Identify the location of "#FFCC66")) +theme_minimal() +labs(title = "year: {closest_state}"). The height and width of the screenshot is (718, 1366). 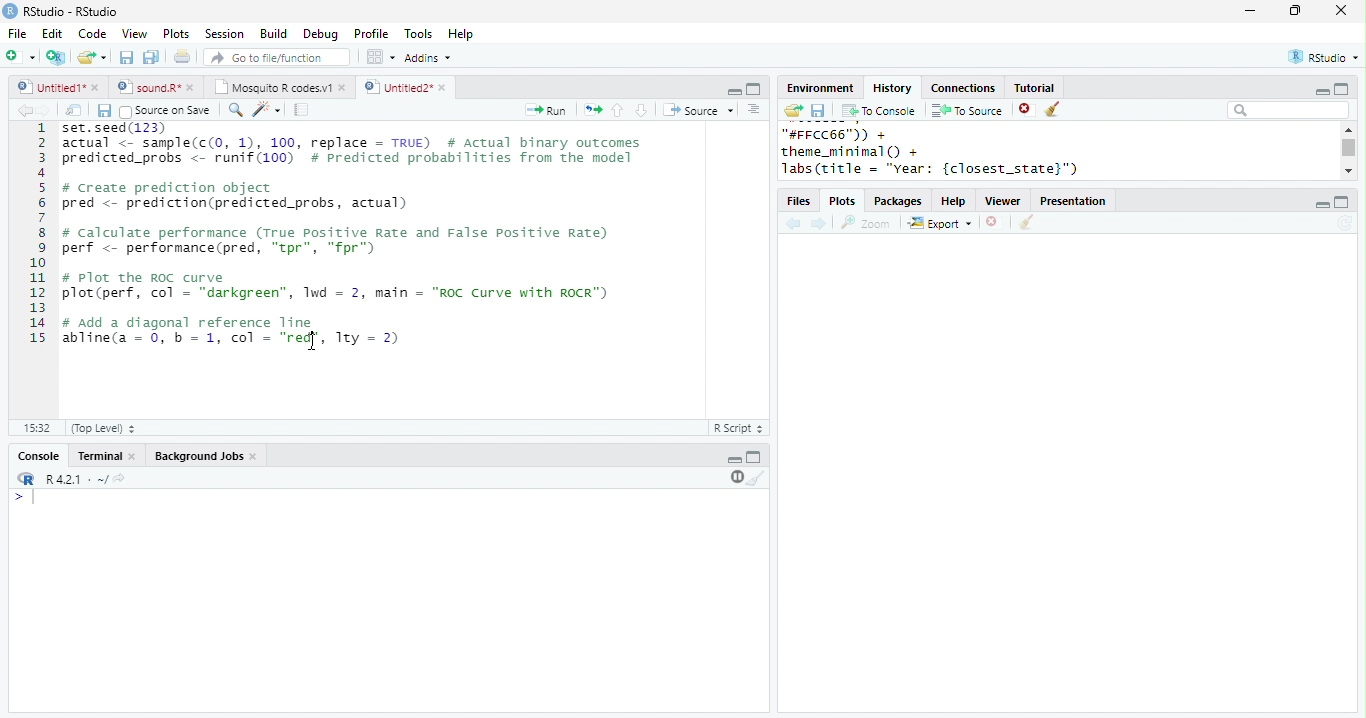
(955, 152).